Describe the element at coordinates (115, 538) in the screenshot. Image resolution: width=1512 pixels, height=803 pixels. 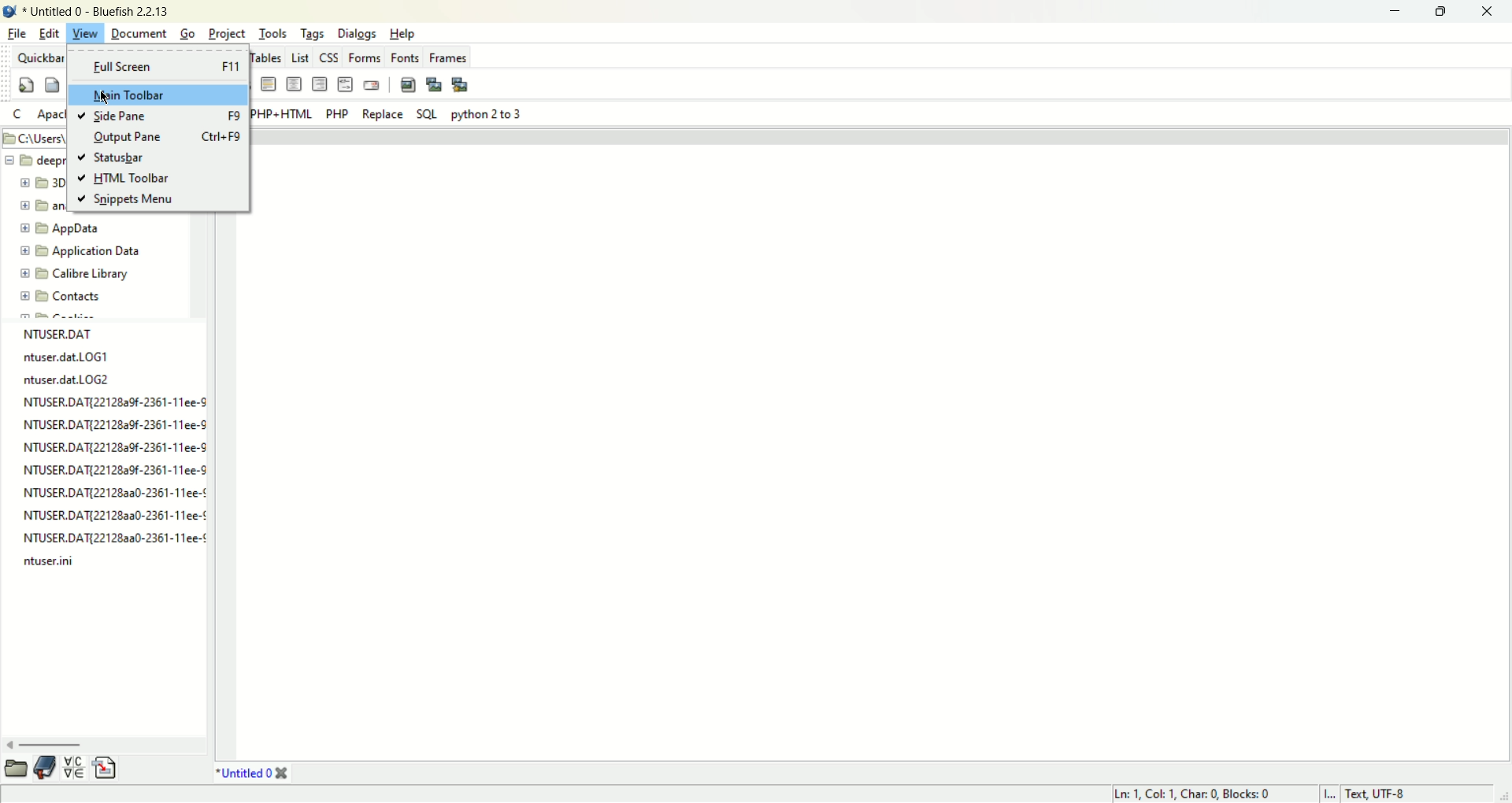
I see `NTUSER.DAT{221282a0-2361-11ee-¢` at that location.